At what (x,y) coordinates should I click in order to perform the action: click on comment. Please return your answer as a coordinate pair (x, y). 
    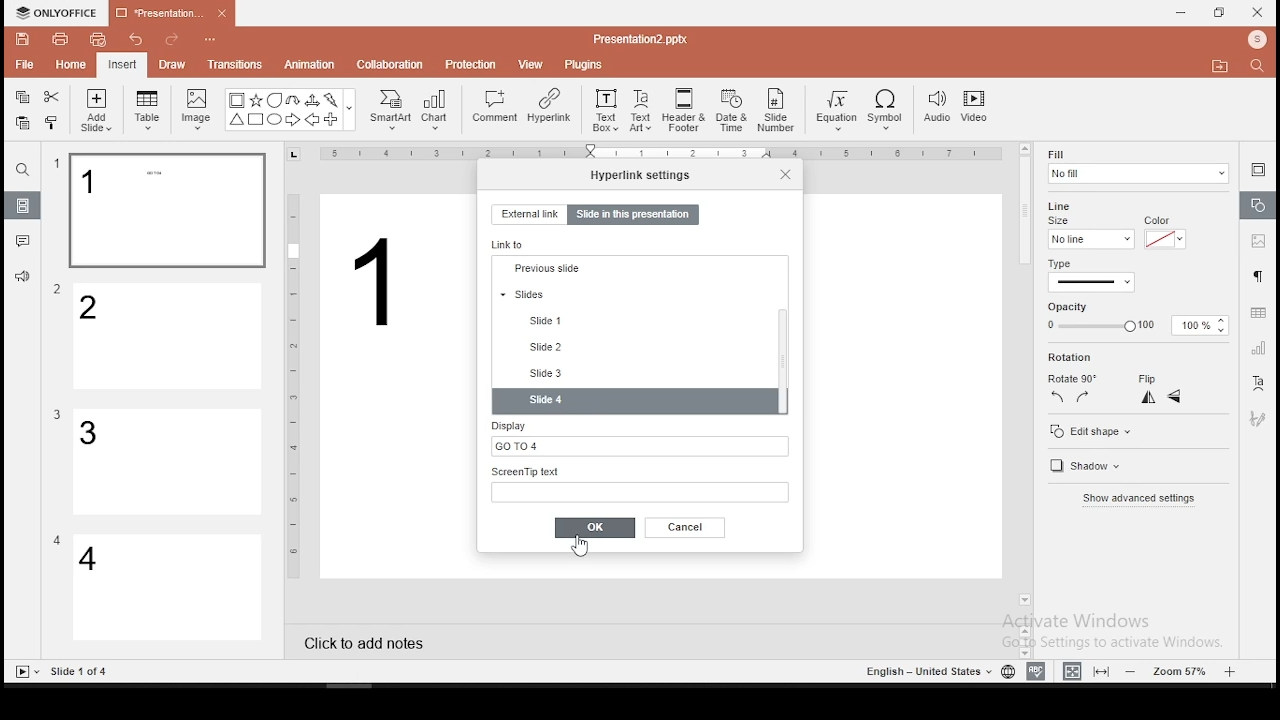
    Looking at the image, I should click on (495, 107).